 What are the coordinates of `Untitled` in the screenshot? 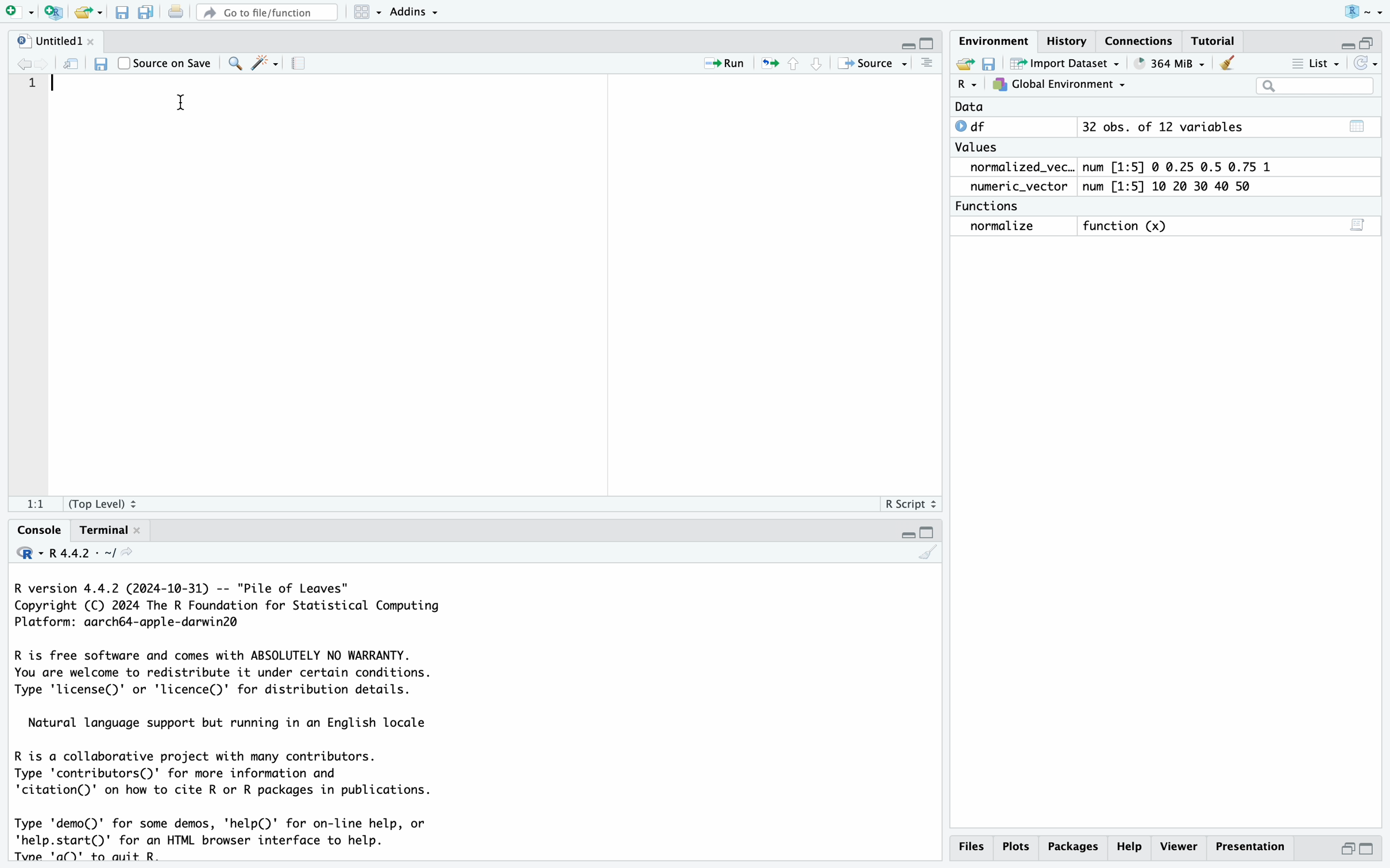 It's located at (55, 41).